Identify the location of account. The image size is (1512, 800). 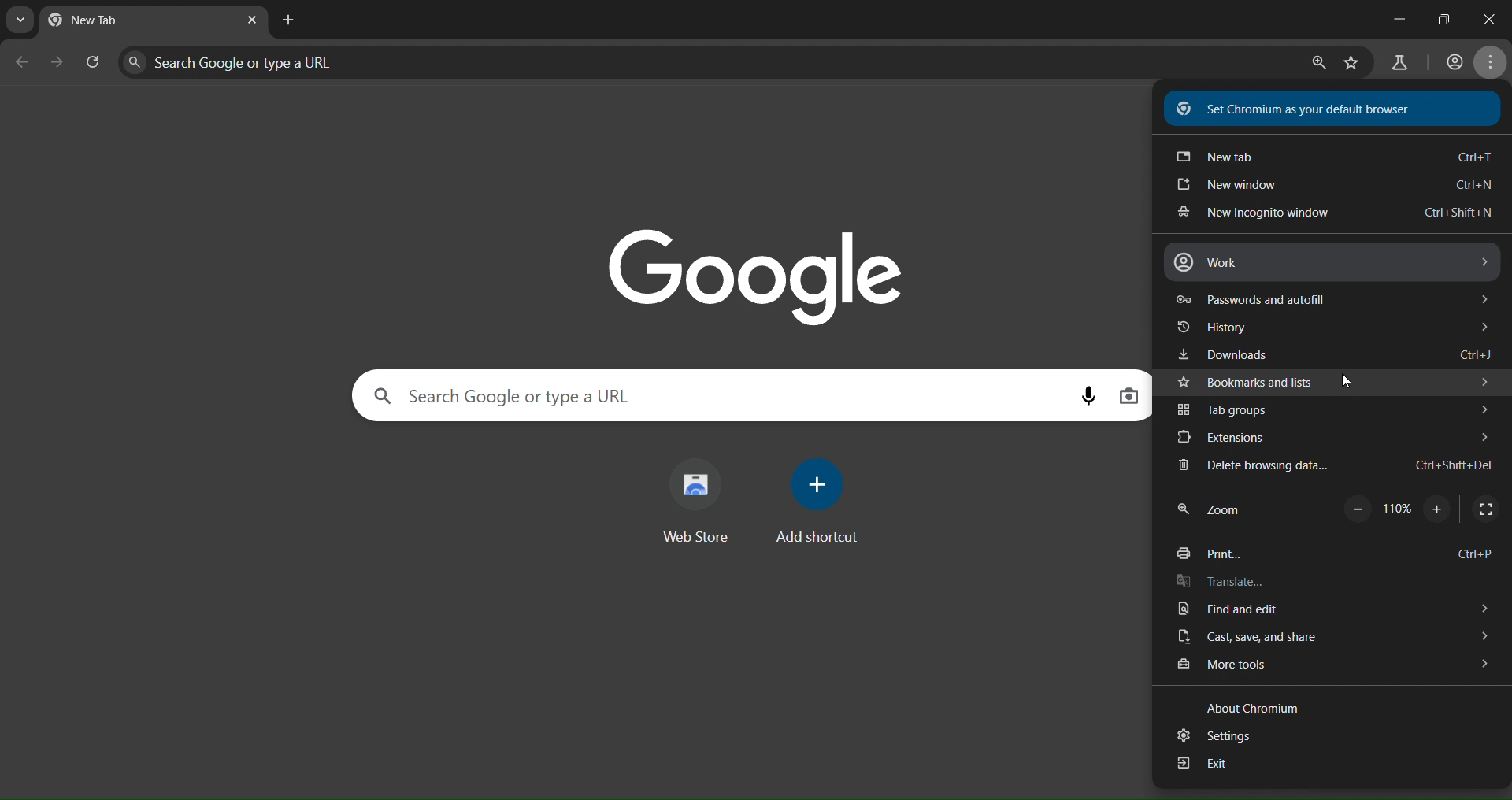
(1451, 61).